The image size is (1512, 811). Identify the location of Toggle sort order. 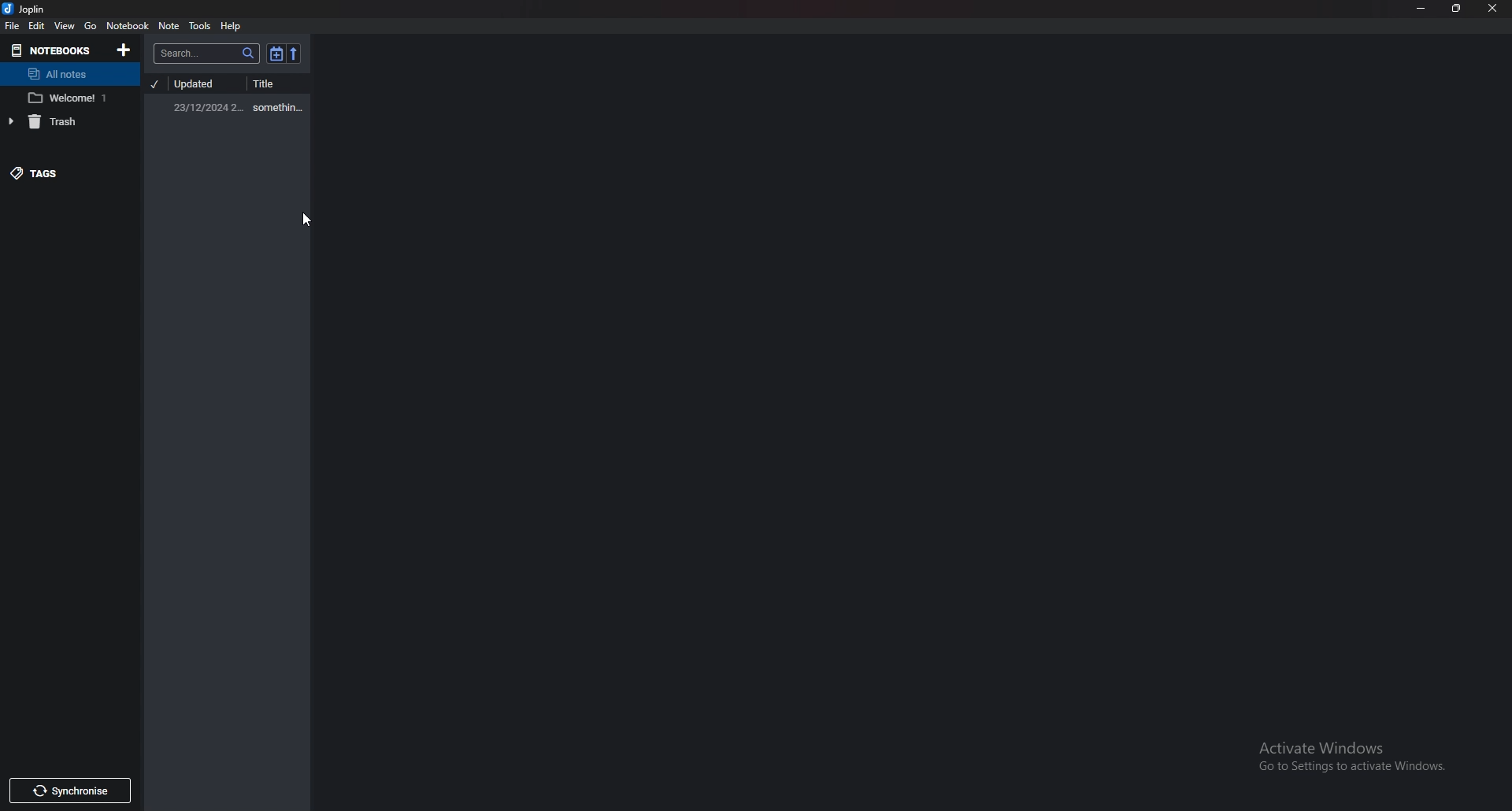
(276, 54).